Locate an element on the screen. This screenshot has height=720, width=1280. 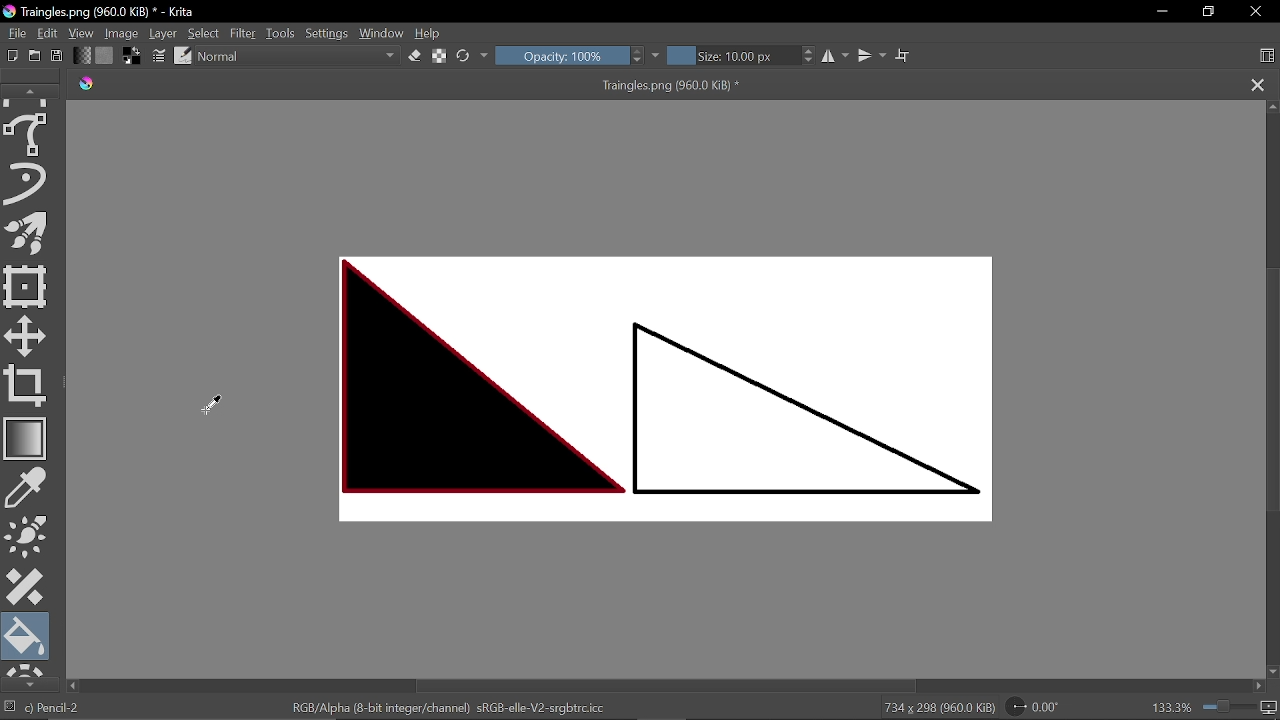
Fill color tool is located at coordinates (27, 636).